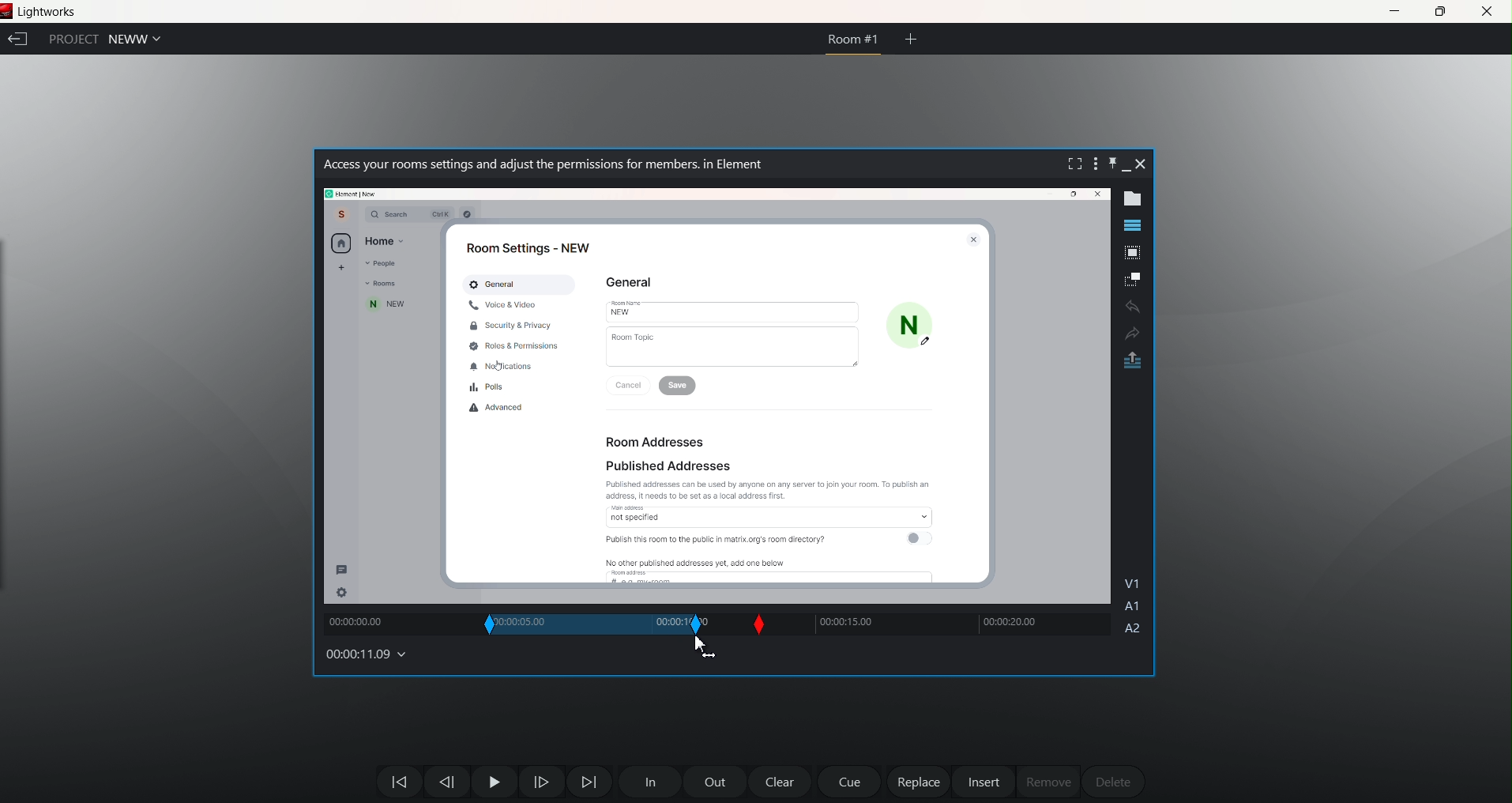 The image size is (1512, 803). I want to click on Security & Privacy, so click(511, 325).